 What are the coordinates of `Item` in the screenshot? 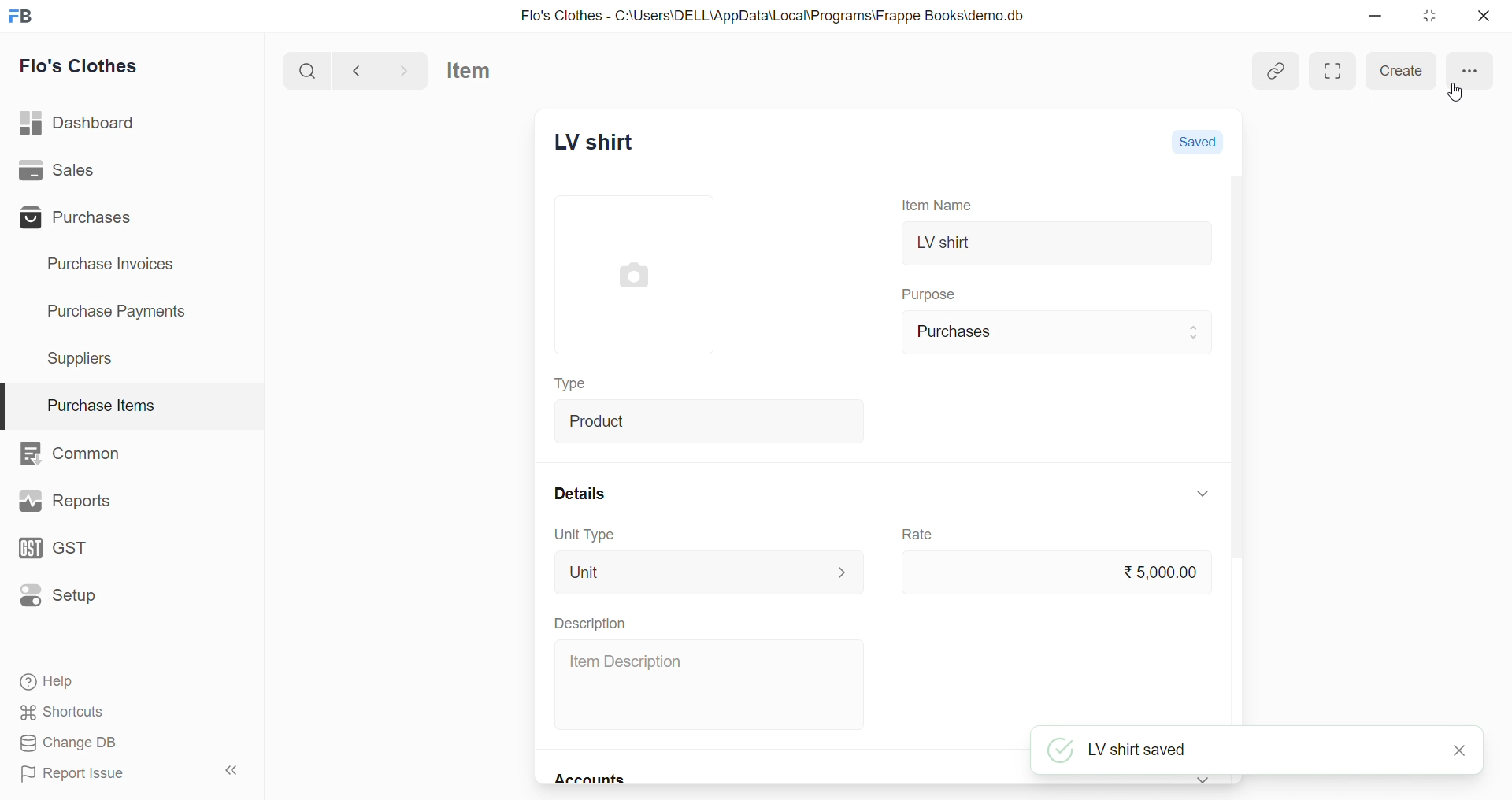 It's located at (480, 71).